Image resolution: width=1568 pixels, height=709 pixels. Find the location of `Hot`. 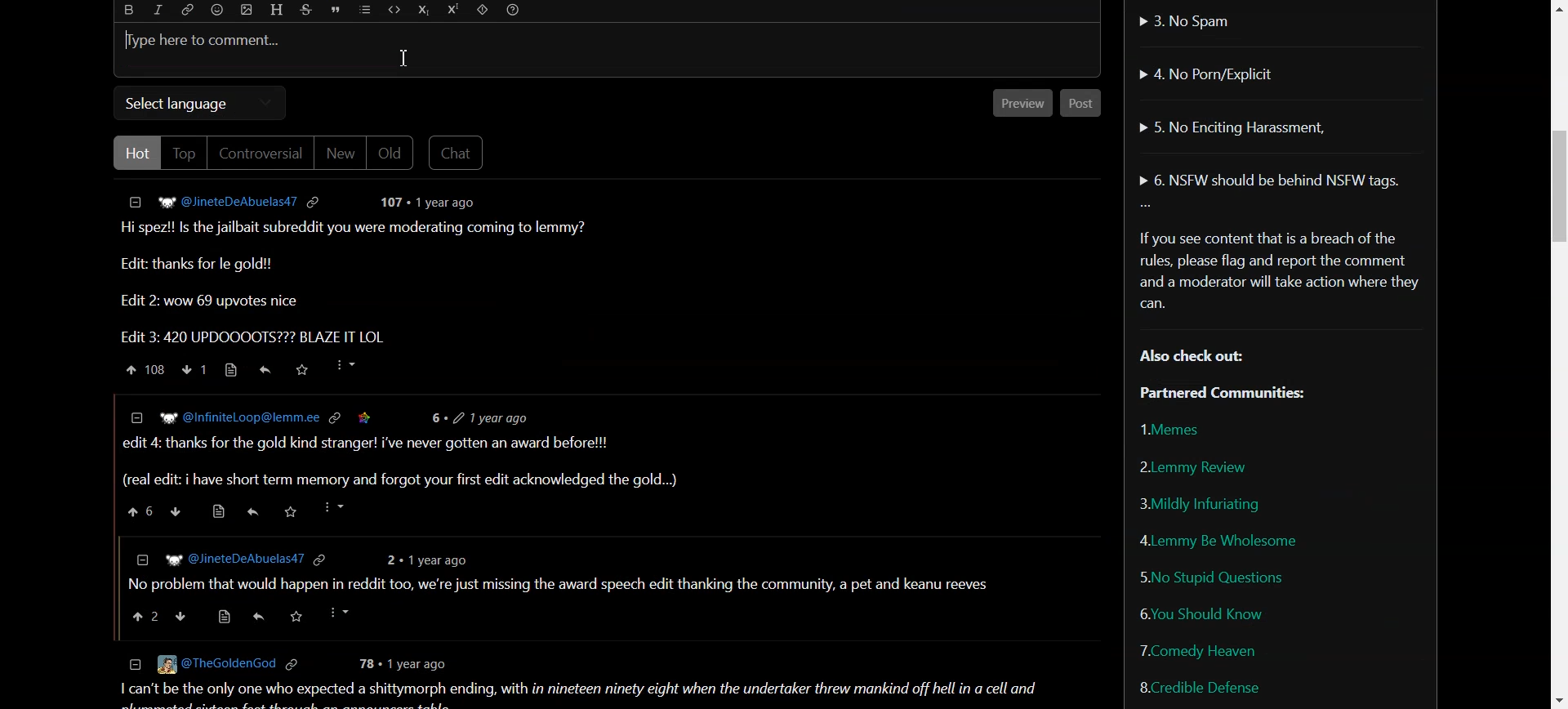

Hot is located at coordinates (135, 153).